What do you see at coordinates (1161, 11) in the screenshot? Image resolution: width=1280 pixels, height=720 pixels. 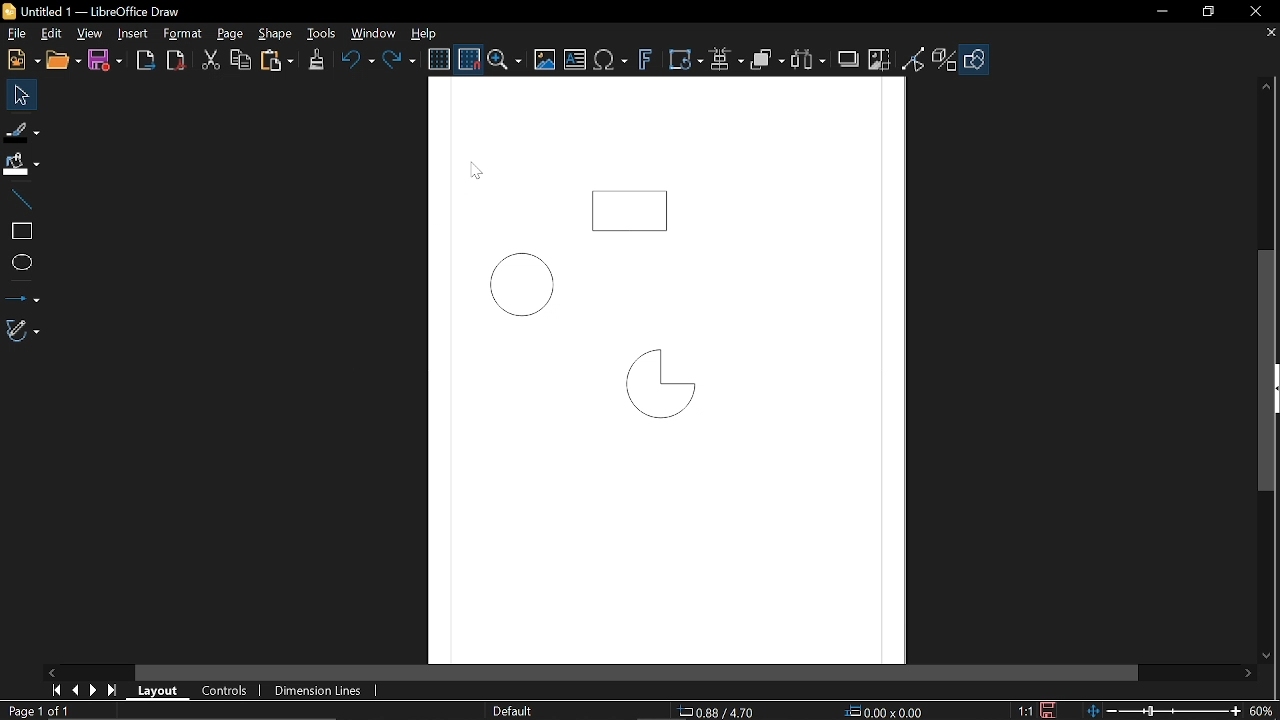 I see `Minimize` at bounding box center [1161, 11].